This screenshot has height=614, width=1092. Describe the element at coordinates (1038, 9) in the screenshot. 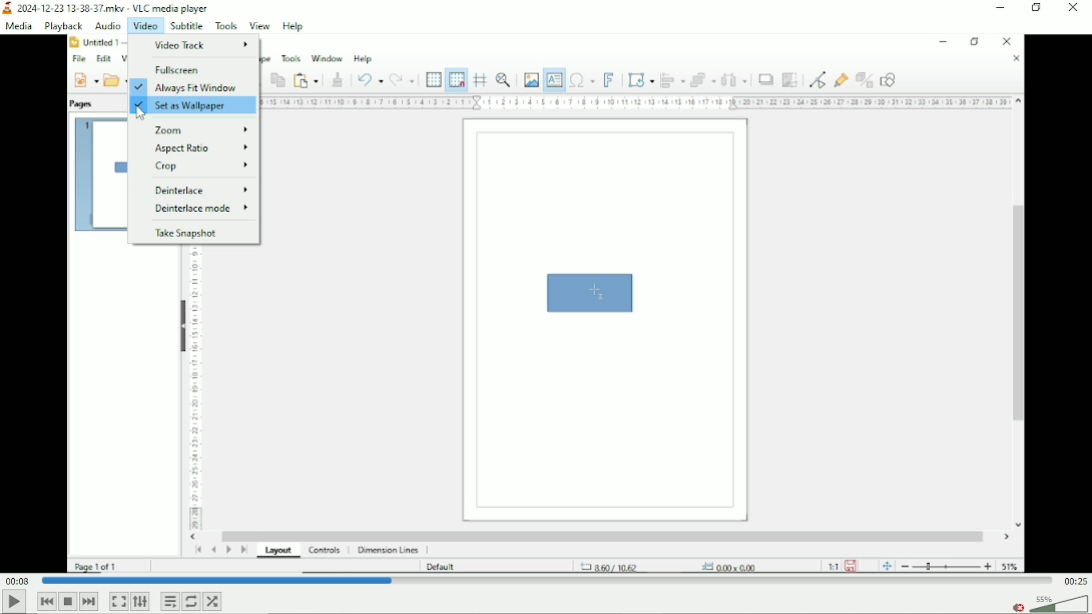

I see `Restore down` at that location.